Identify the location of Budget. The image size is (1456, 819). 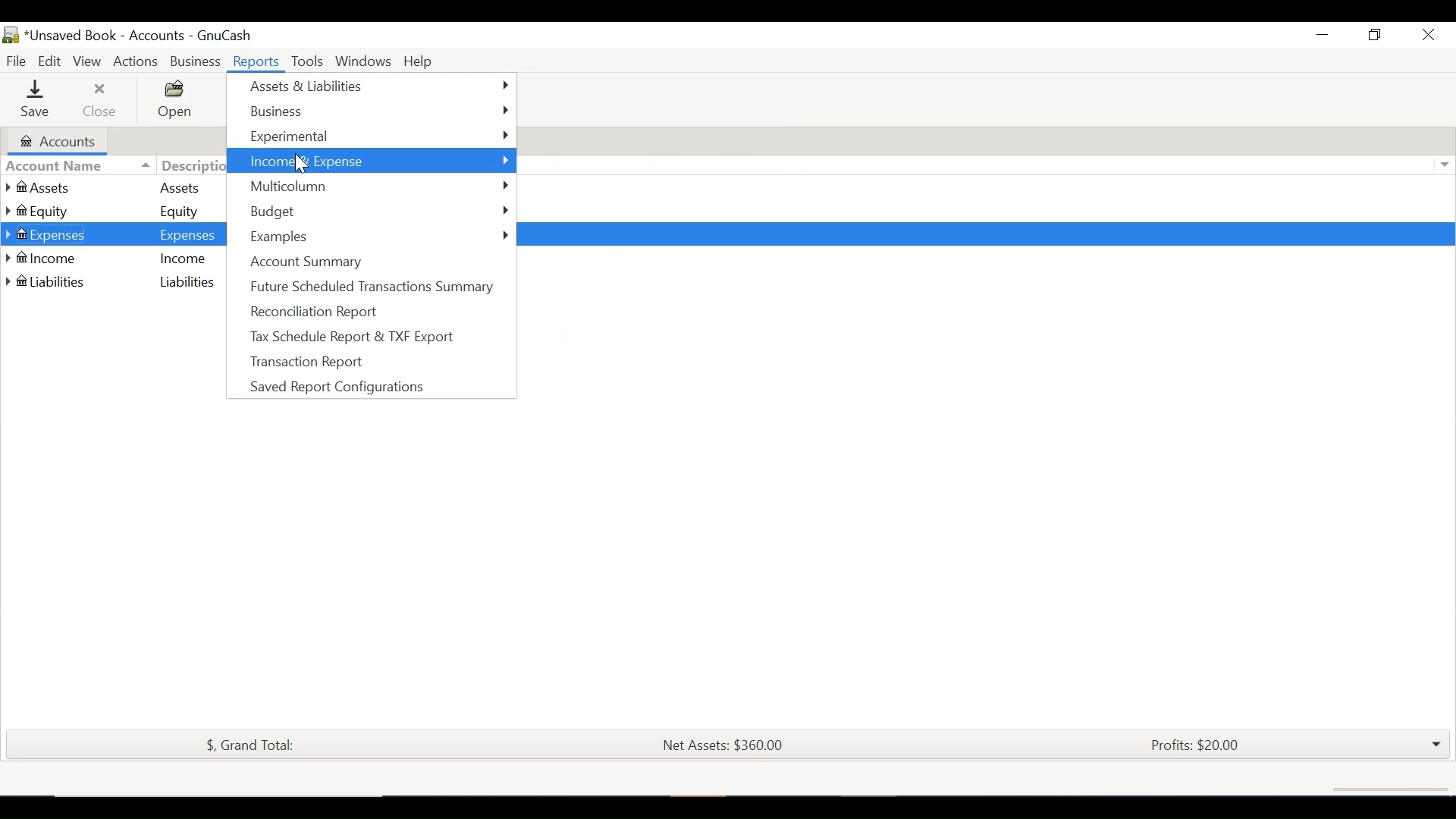
(370, 210).